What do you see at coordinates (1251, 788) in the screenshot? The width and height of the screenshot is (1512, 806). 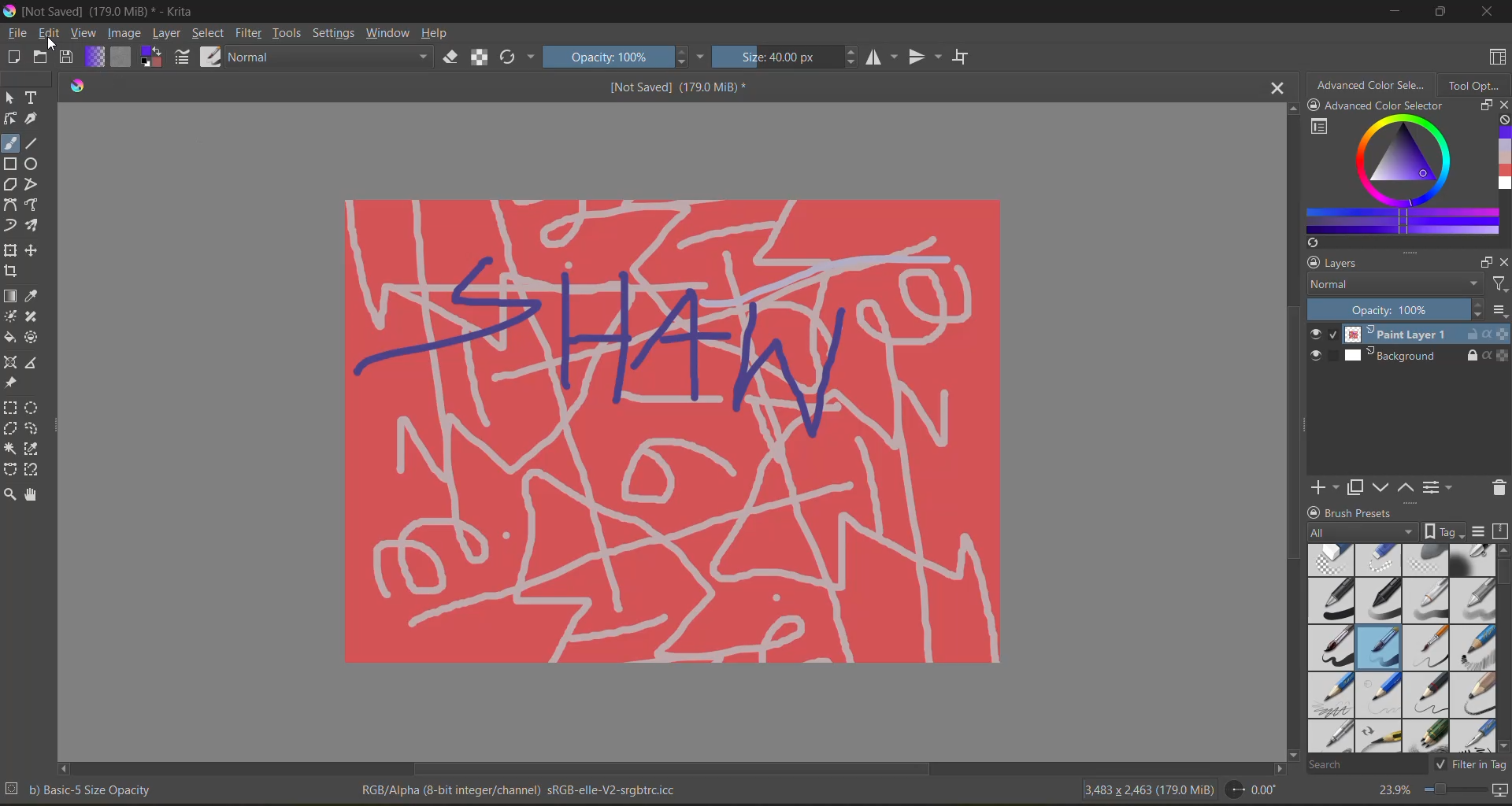 I see `0.00` at bounding box center [1251, 788].